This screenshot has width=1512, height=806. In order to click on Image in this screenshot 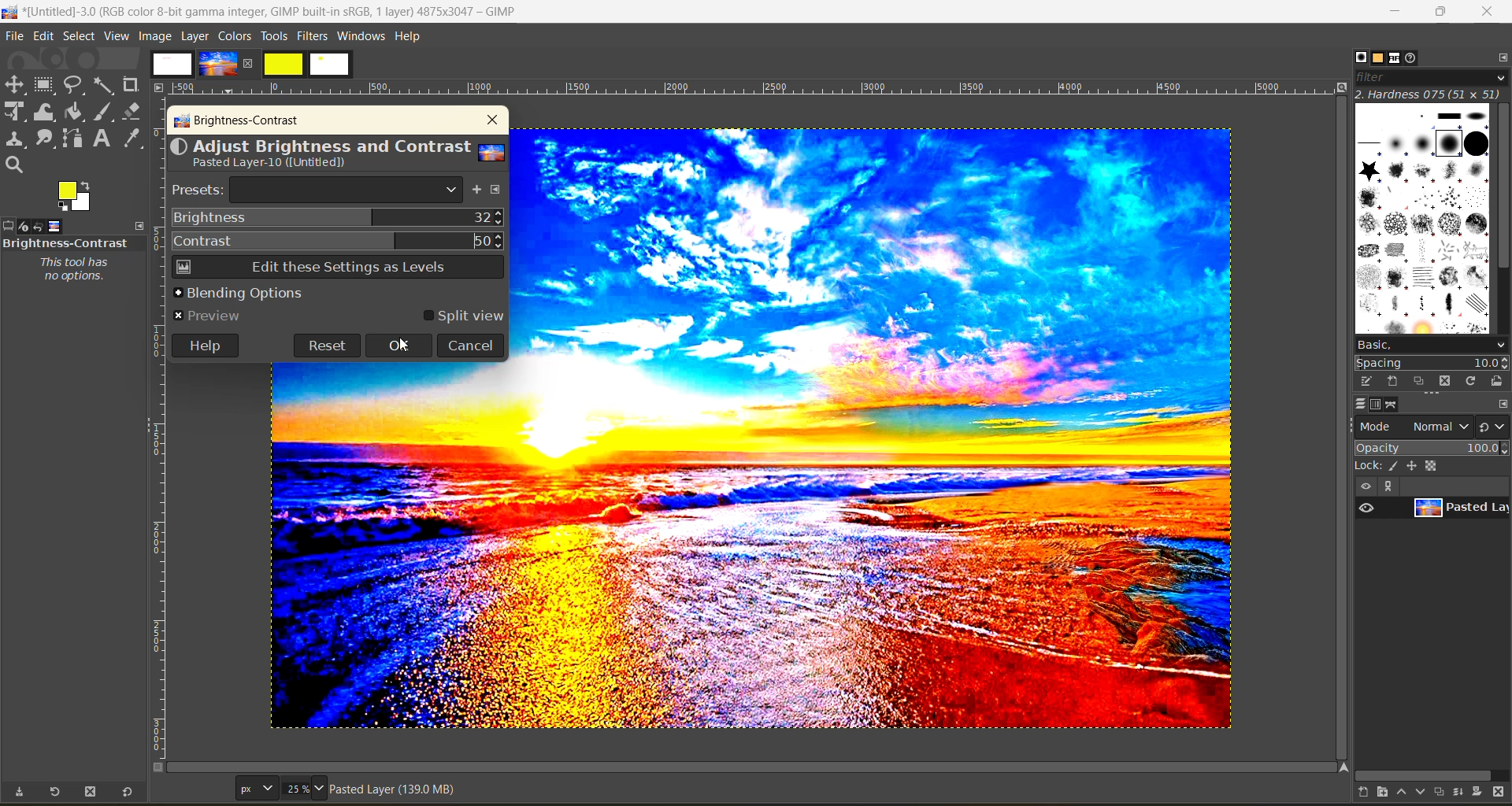, I will do `click(394, 545)`.